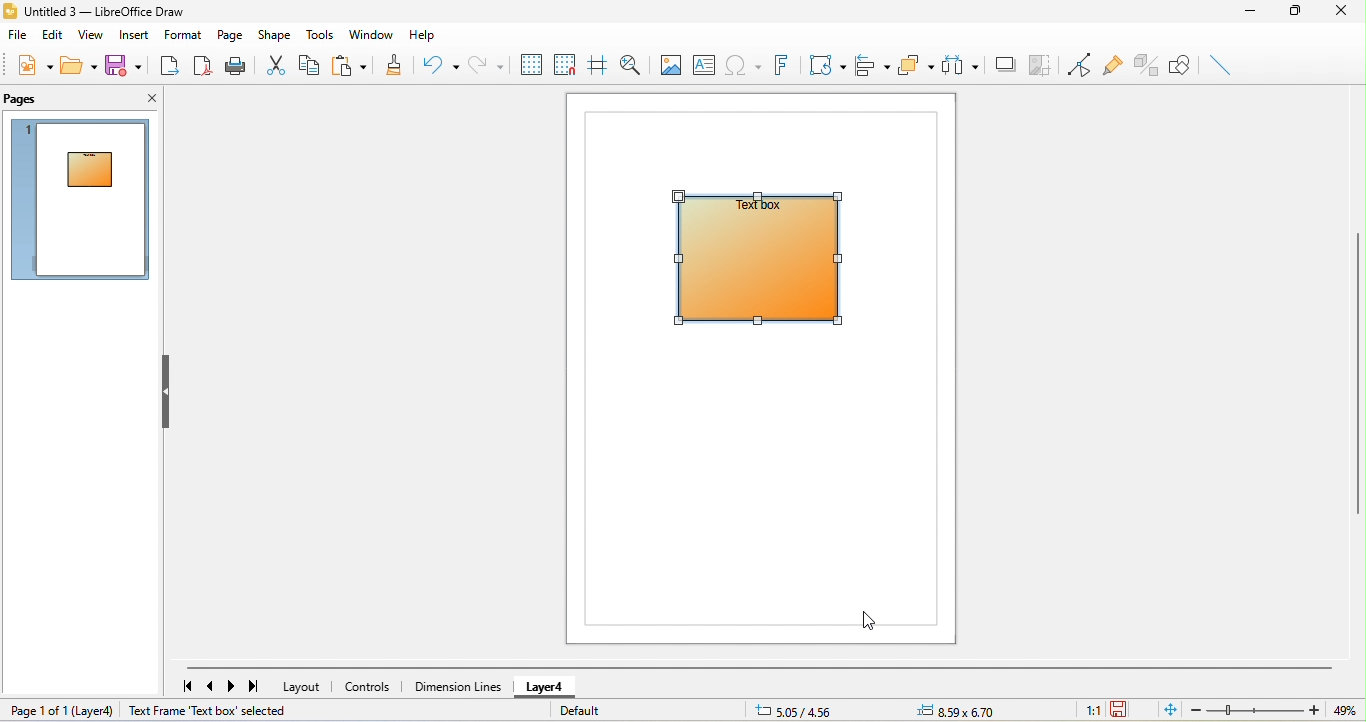 The image size is (1366, 722). Describe the element at coordinates (146, 101) in the screenshot. I see `close` at that location.